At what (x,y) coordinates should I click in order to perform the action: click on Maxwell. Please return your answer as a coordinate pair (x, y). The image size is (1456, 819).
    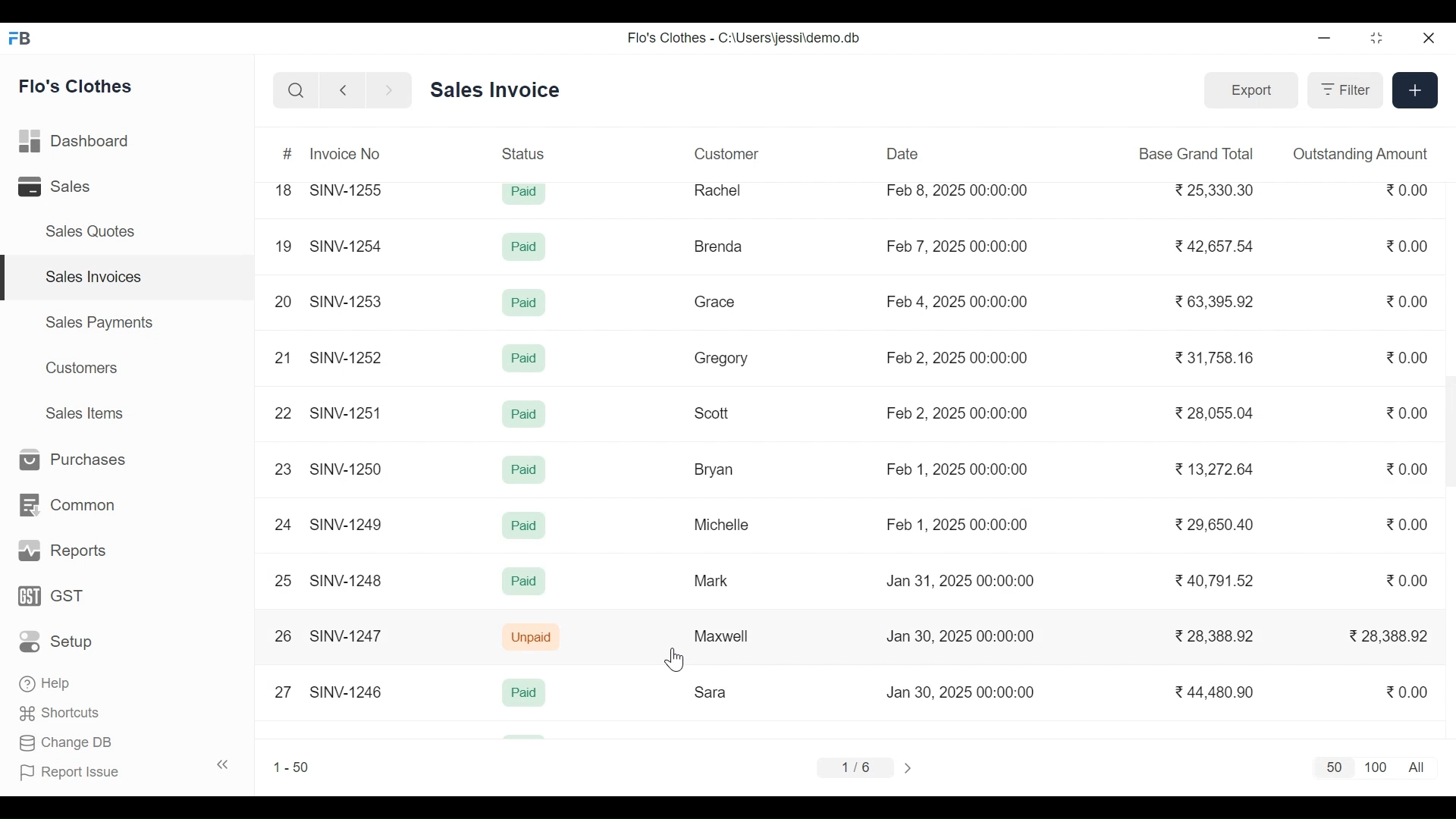
    Looking at the image, I should click on (728, 637).